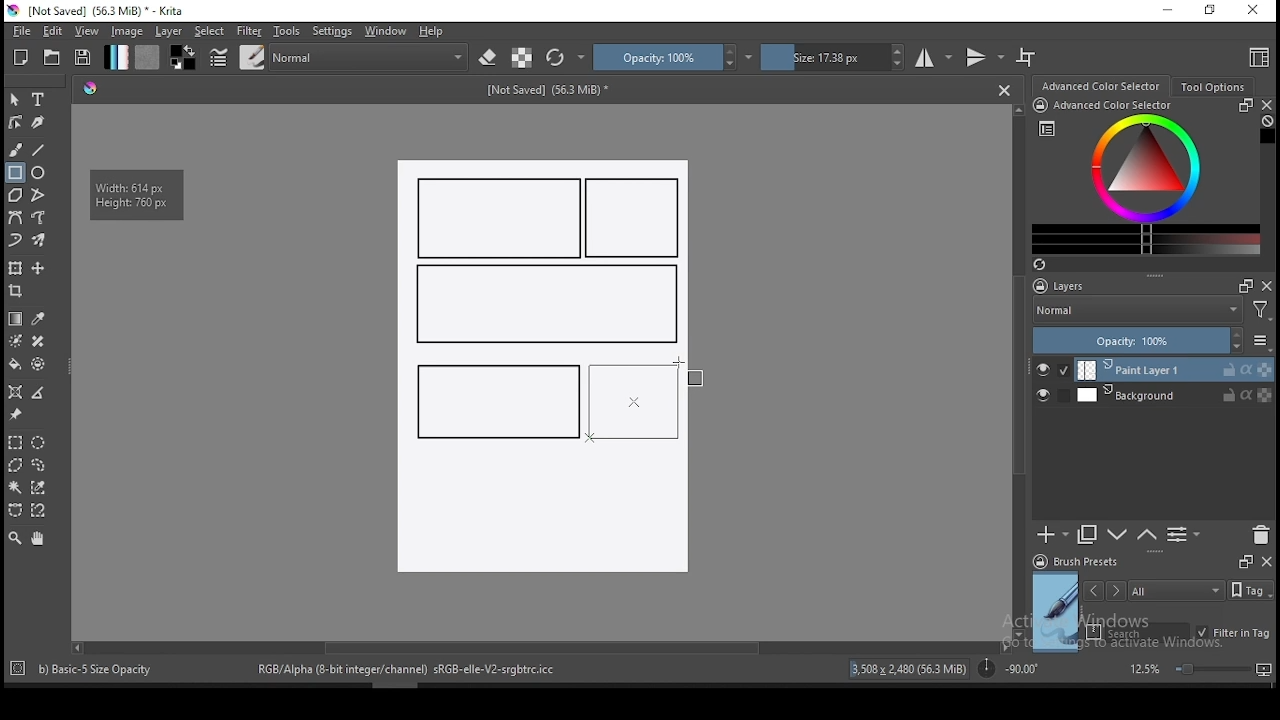 The height and width of the screenshot is (720, 1280). Describe the element at coordinates (126, 31) in the screenshot. I see `image` at that location.